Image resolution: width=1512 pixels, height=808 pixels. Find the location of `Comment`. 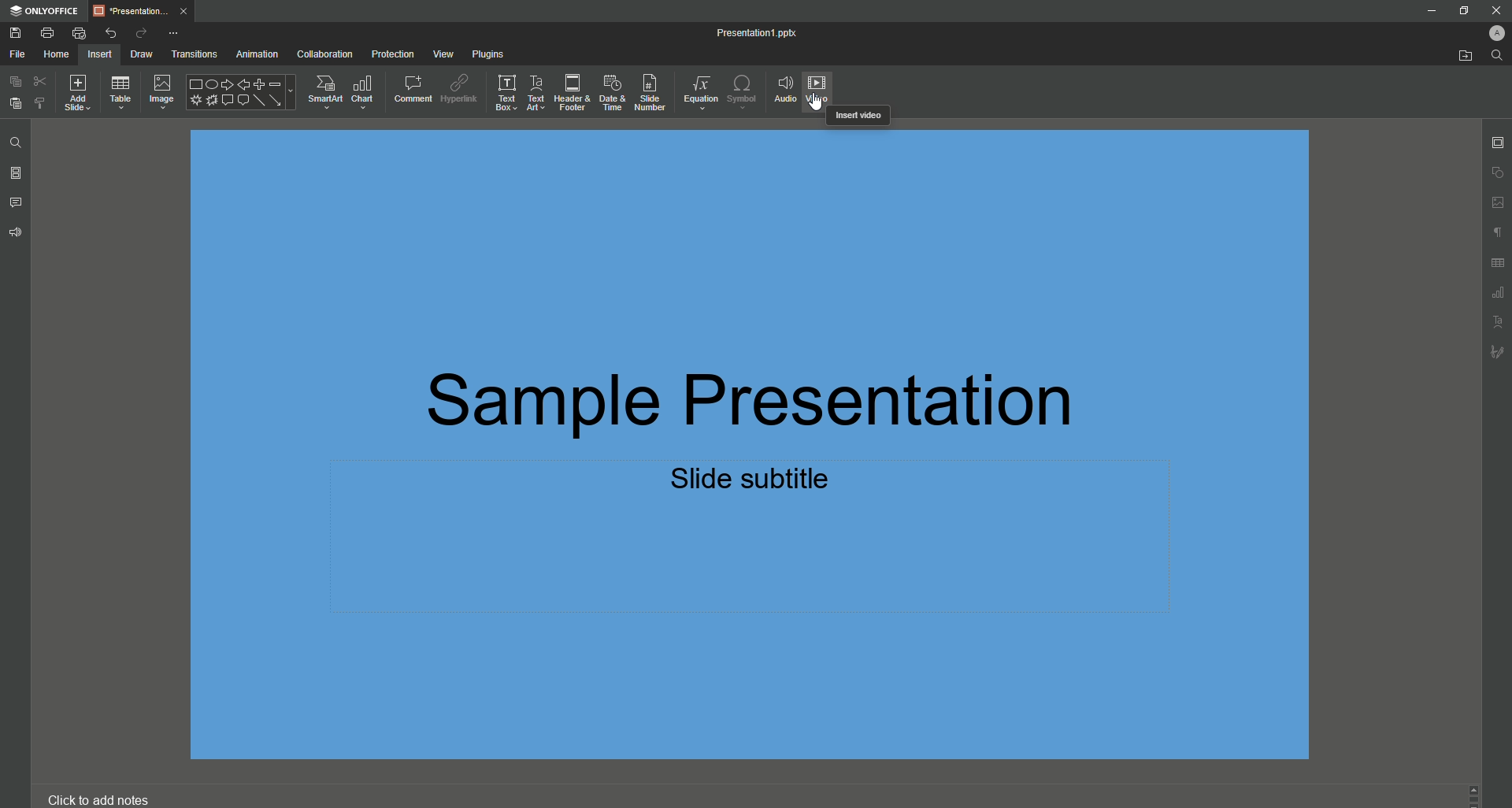

Comment is located at coordinates (409, 87).